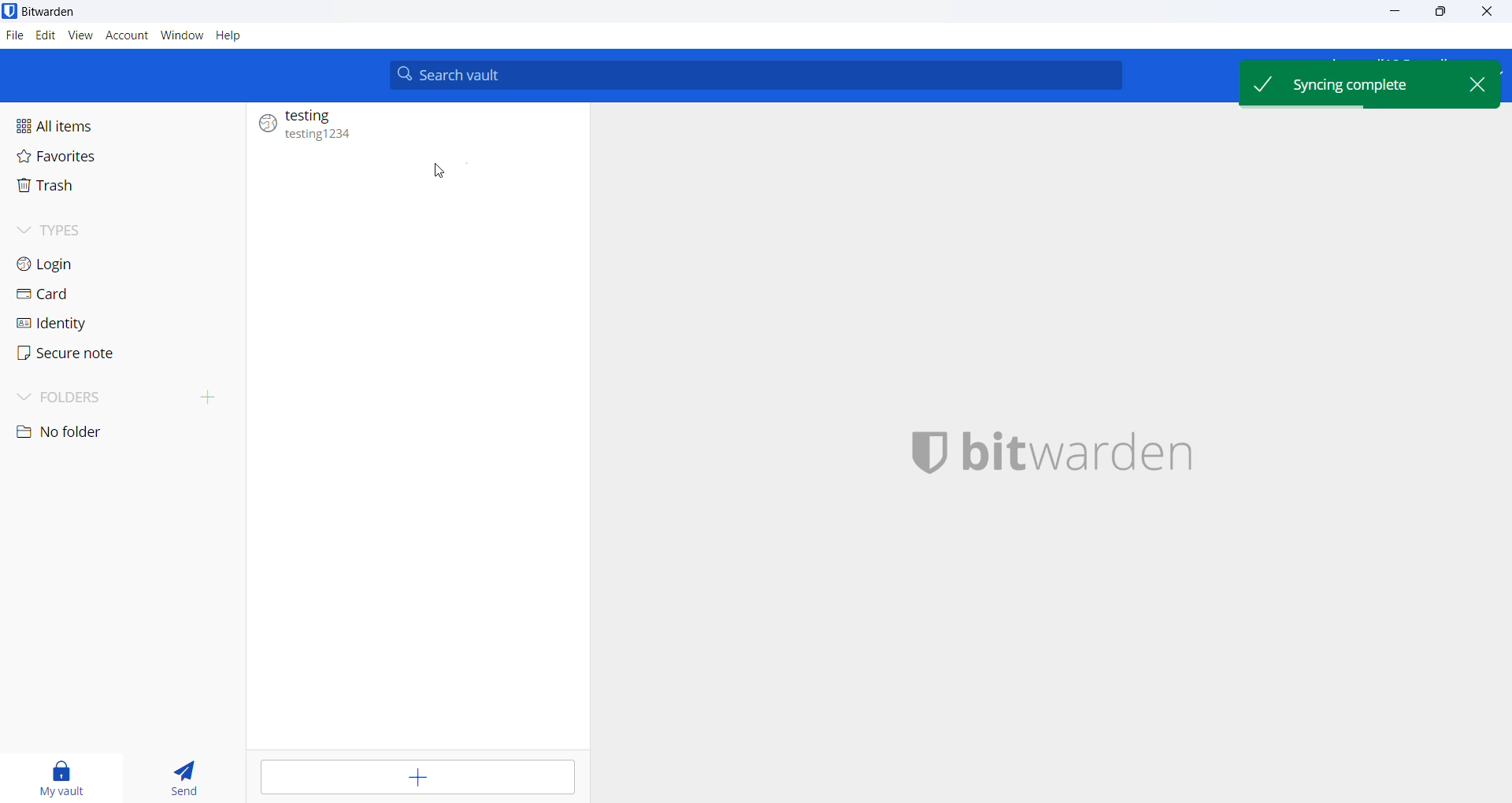 The width and height of the screenshot is (1512, 803). Describe the element at coordinates (1392, 14) in the screenshot. I see `minimize` at that location.